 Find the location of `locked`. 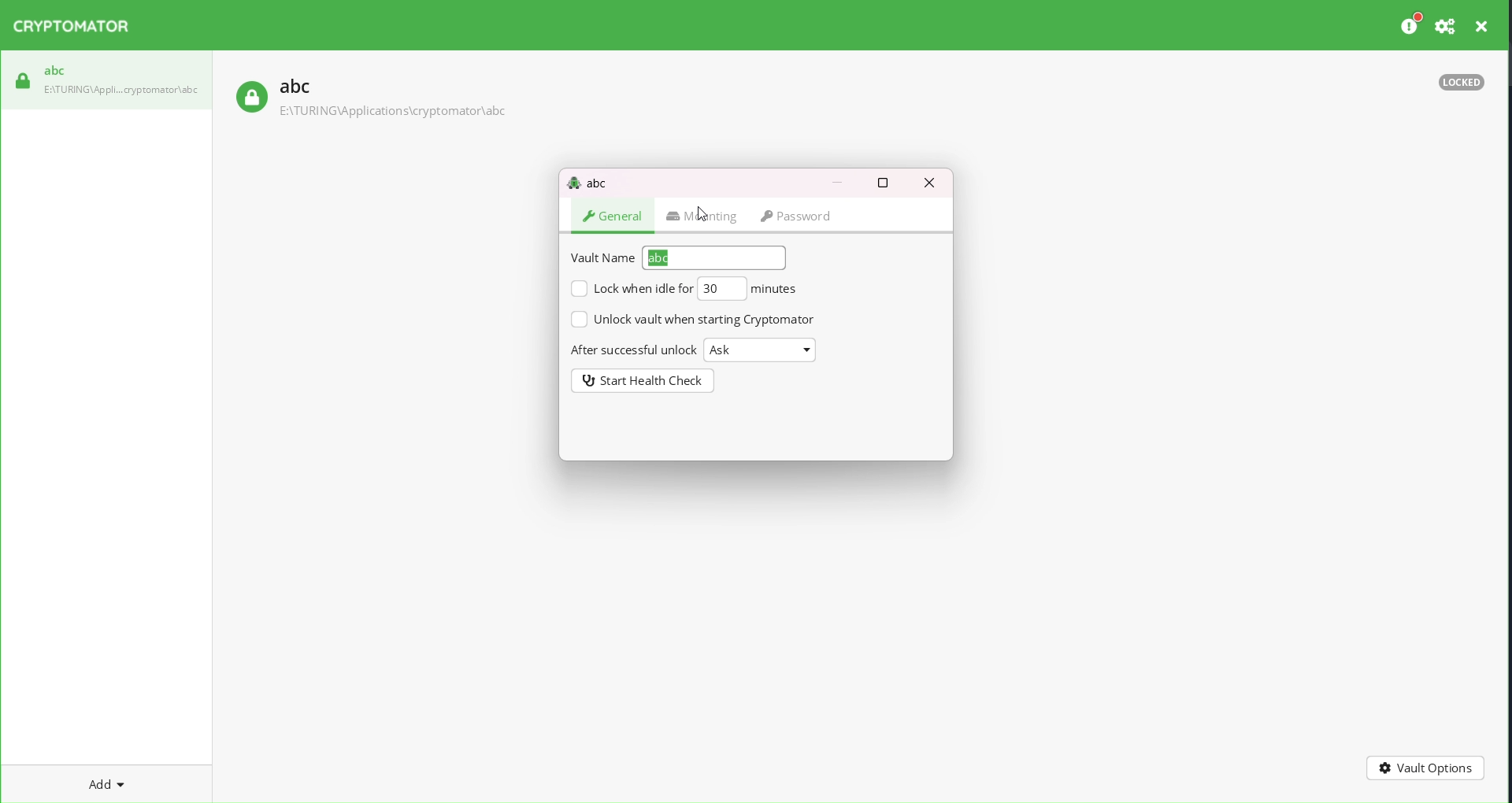

locked is located at coordinates (1459, 86).